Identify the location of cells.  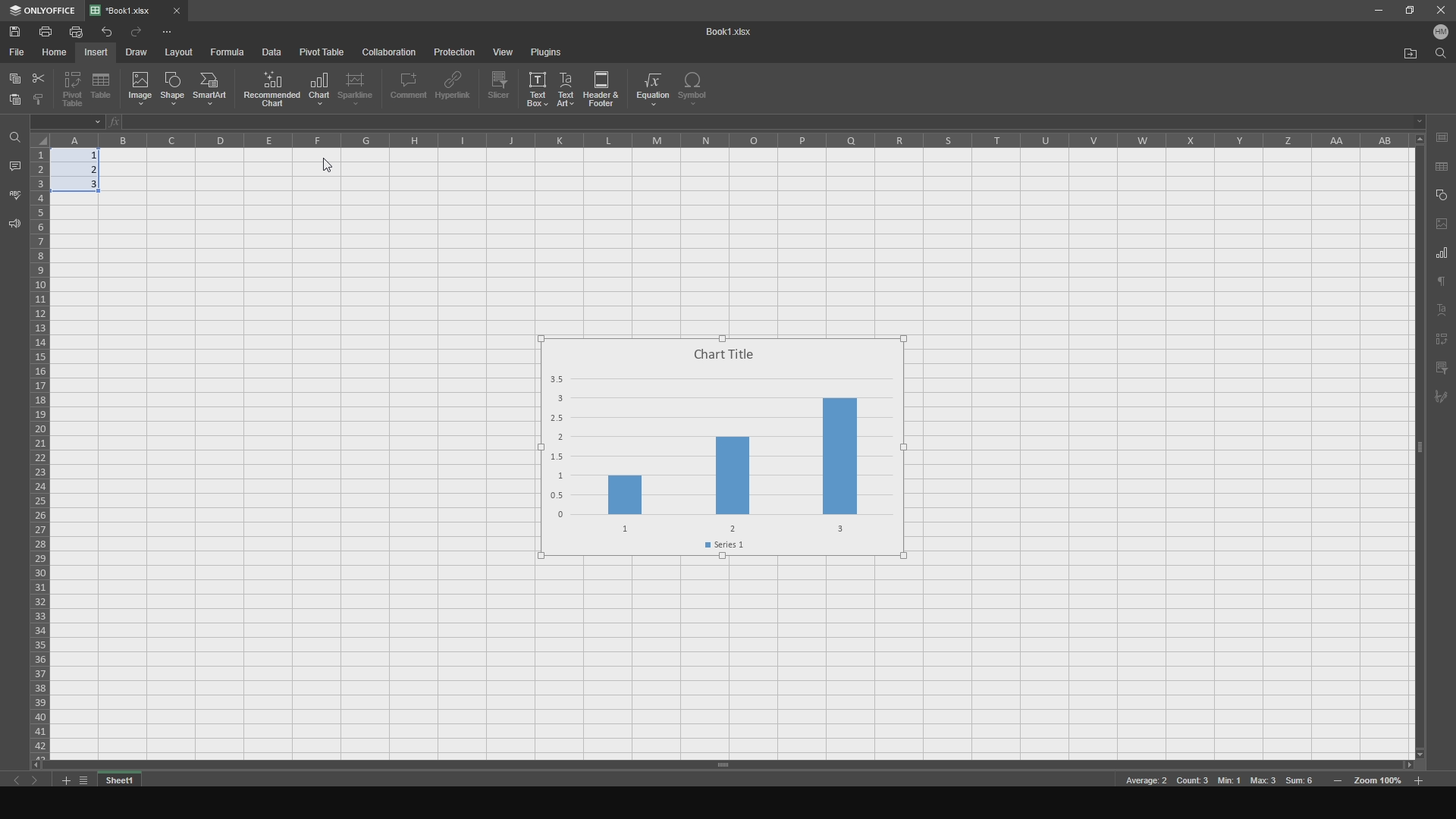
(39, 445).